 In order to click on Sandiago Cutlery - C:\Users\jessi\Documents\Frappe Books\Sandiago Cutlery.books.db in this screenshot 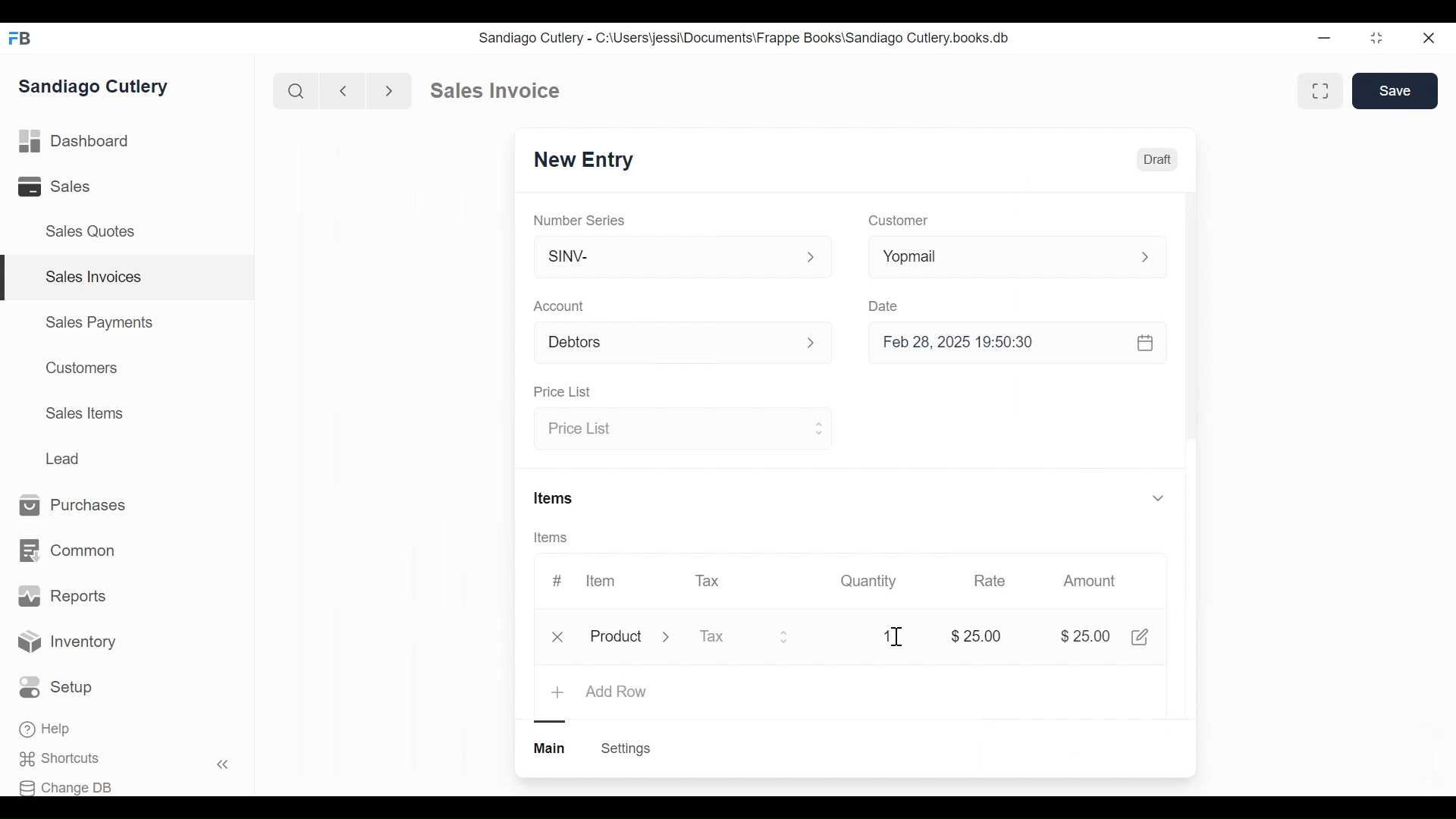, I will do `click(742, 37)`.